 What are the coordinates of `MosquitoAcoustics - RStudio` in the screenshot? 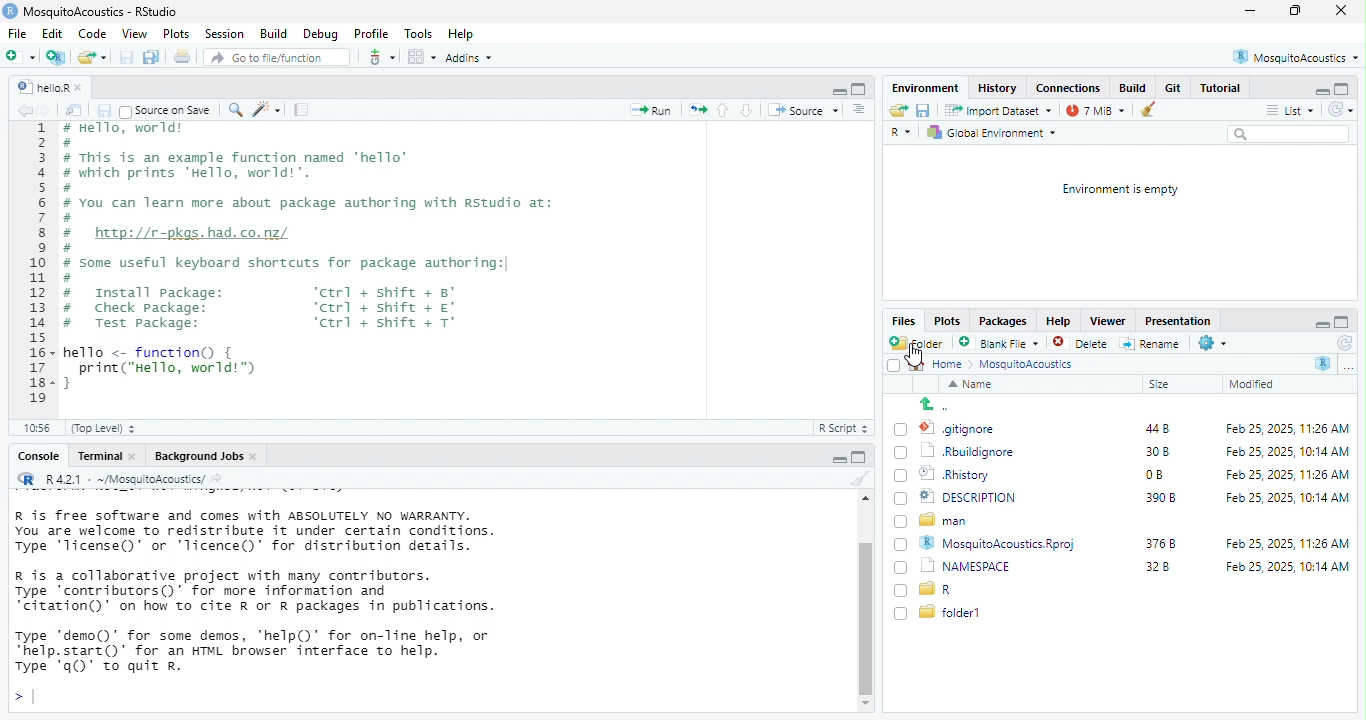 It's located at (104, 12).